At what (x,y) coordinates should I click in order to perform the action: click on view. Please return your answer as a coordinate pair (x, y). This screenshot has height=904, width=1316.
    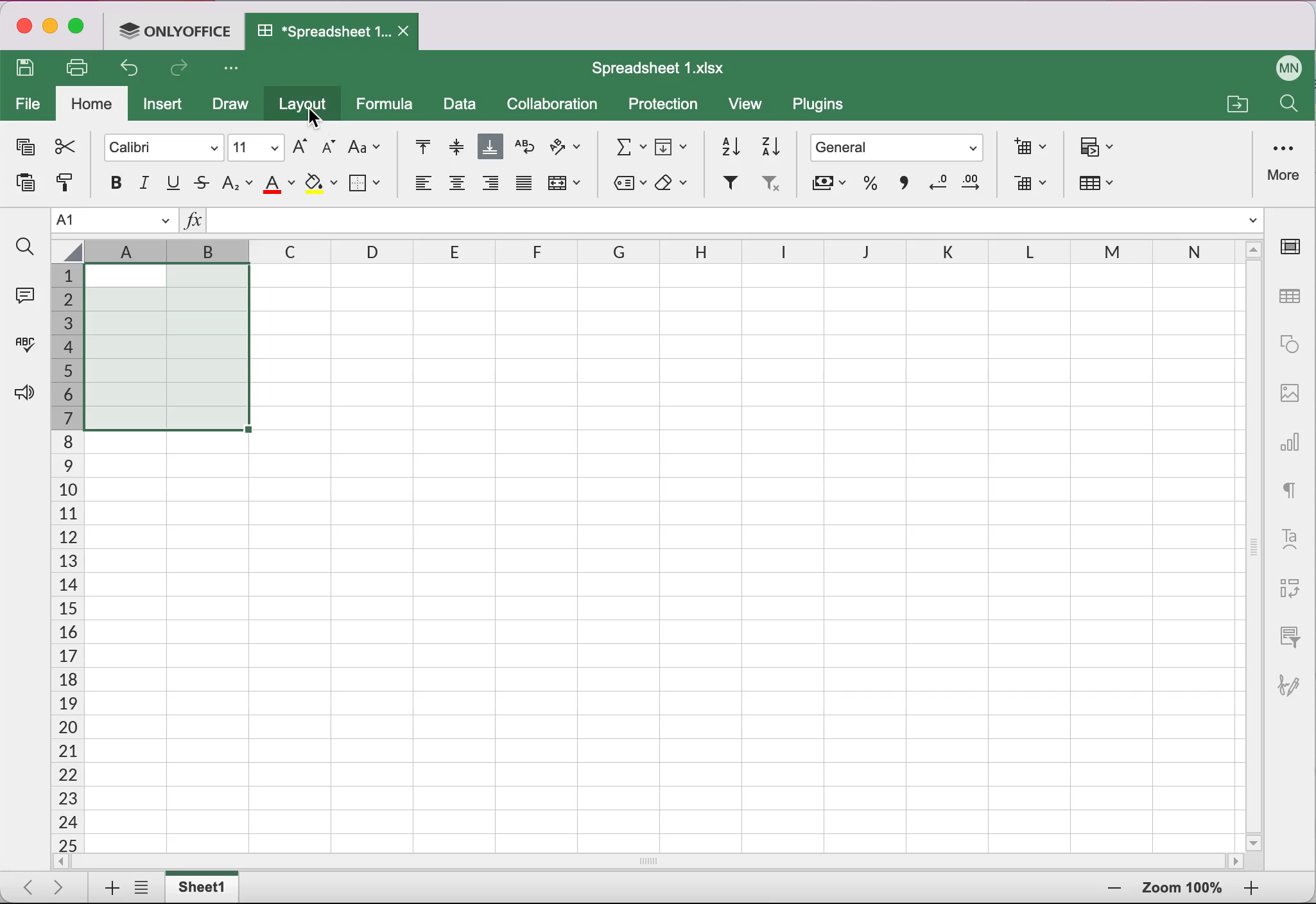
    Looking at the image, I should click on (751, 107).